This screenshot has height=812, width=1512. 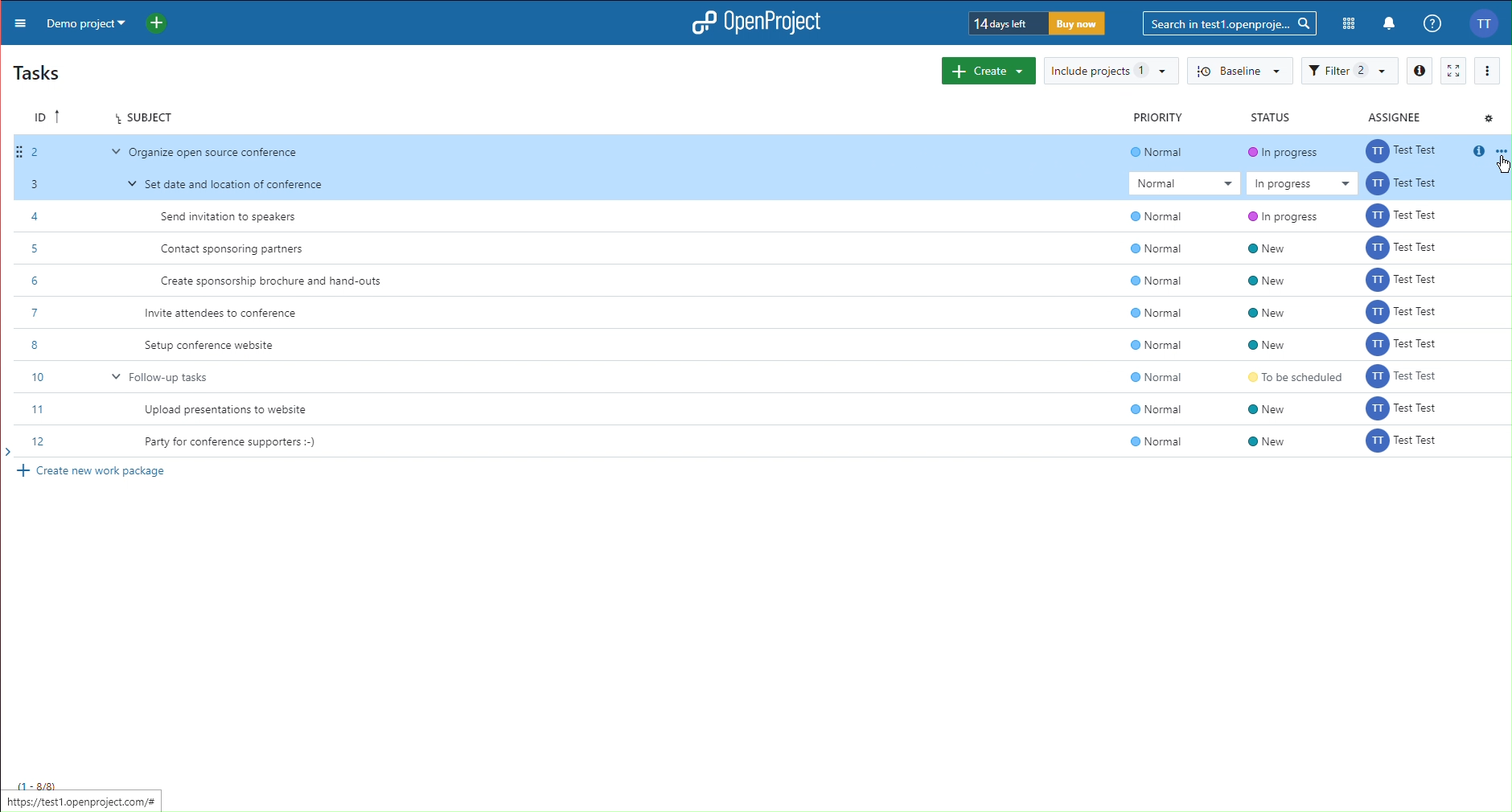 I want to click on option, so click(x=1500, y=148).